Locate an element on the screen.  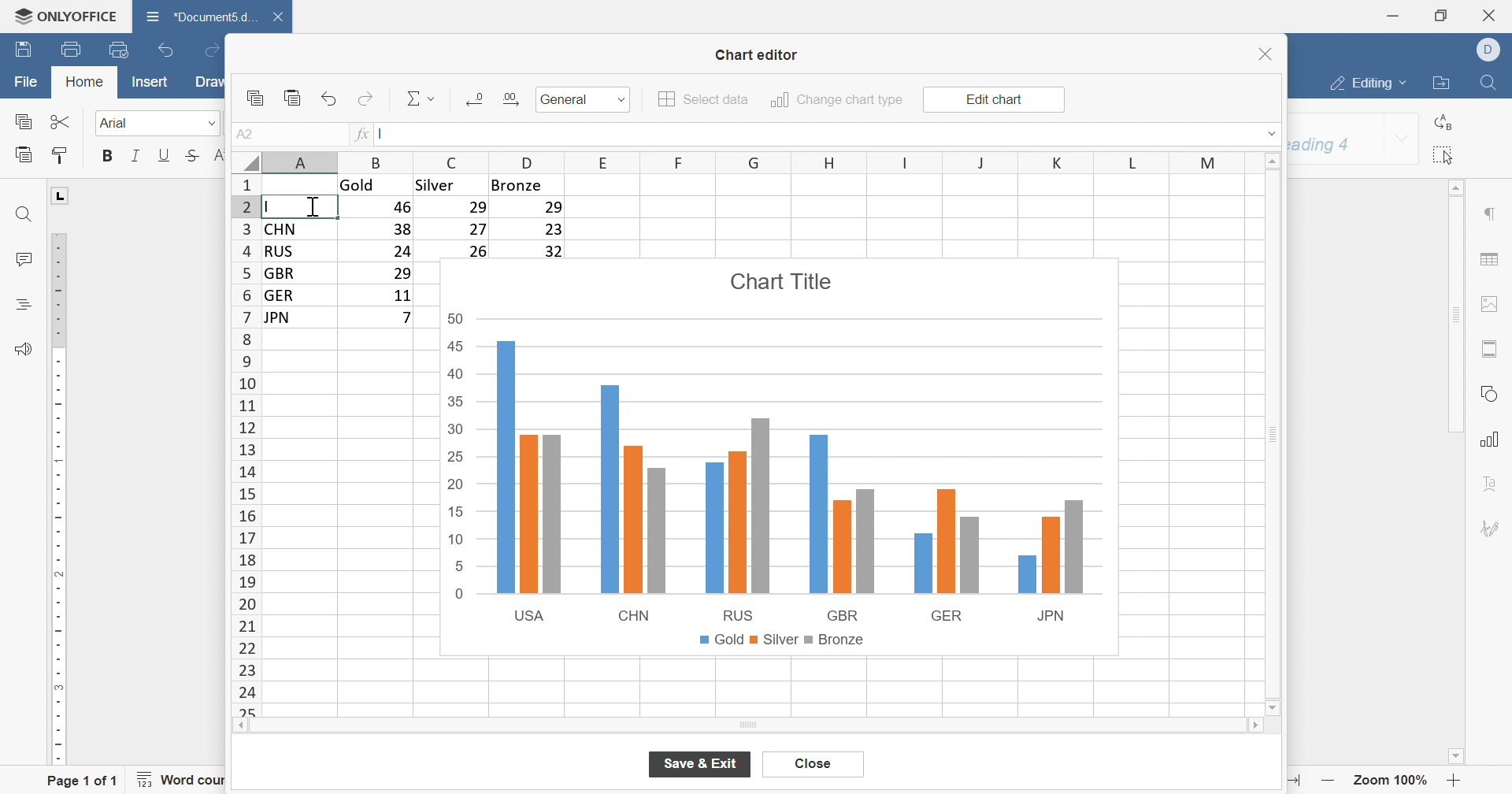
close is located at coordinates (1267, 54).